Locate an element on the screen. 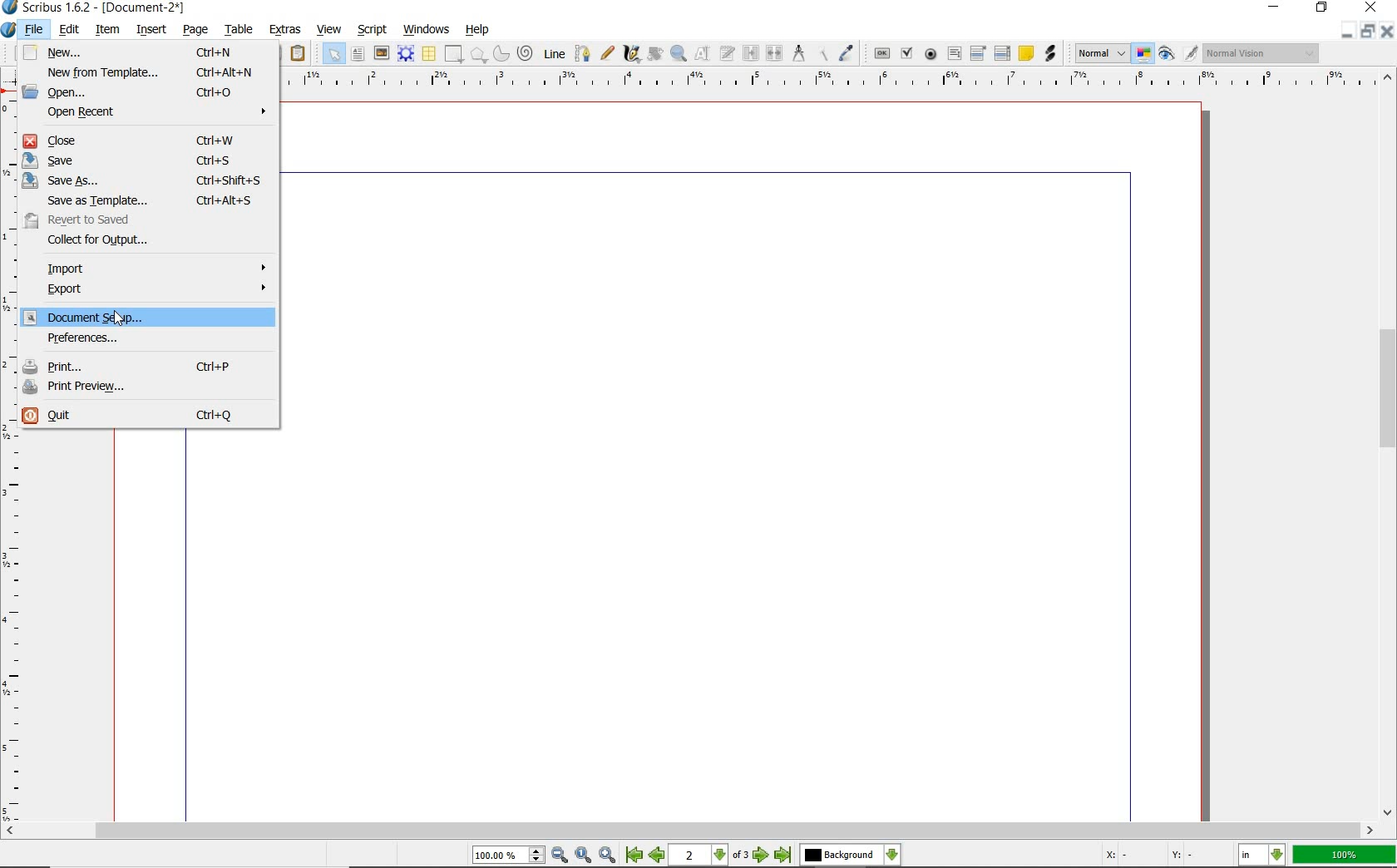 The width and height of the screenshot is (1397, 868). Close is located at coordinates (1389, 34).